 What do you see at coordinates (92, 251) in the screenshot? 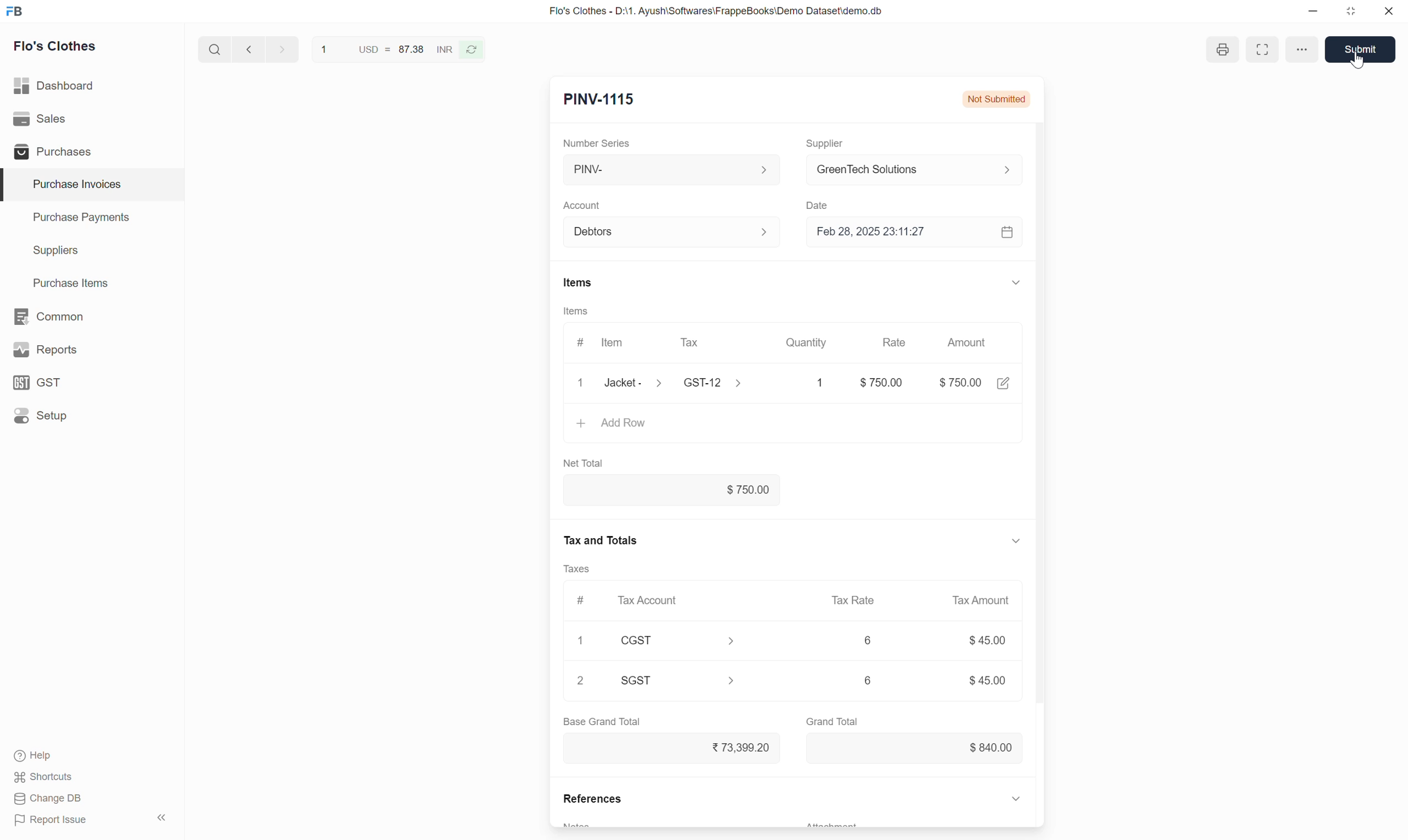
I see `Suppliers` at bounding box center [92, 251].